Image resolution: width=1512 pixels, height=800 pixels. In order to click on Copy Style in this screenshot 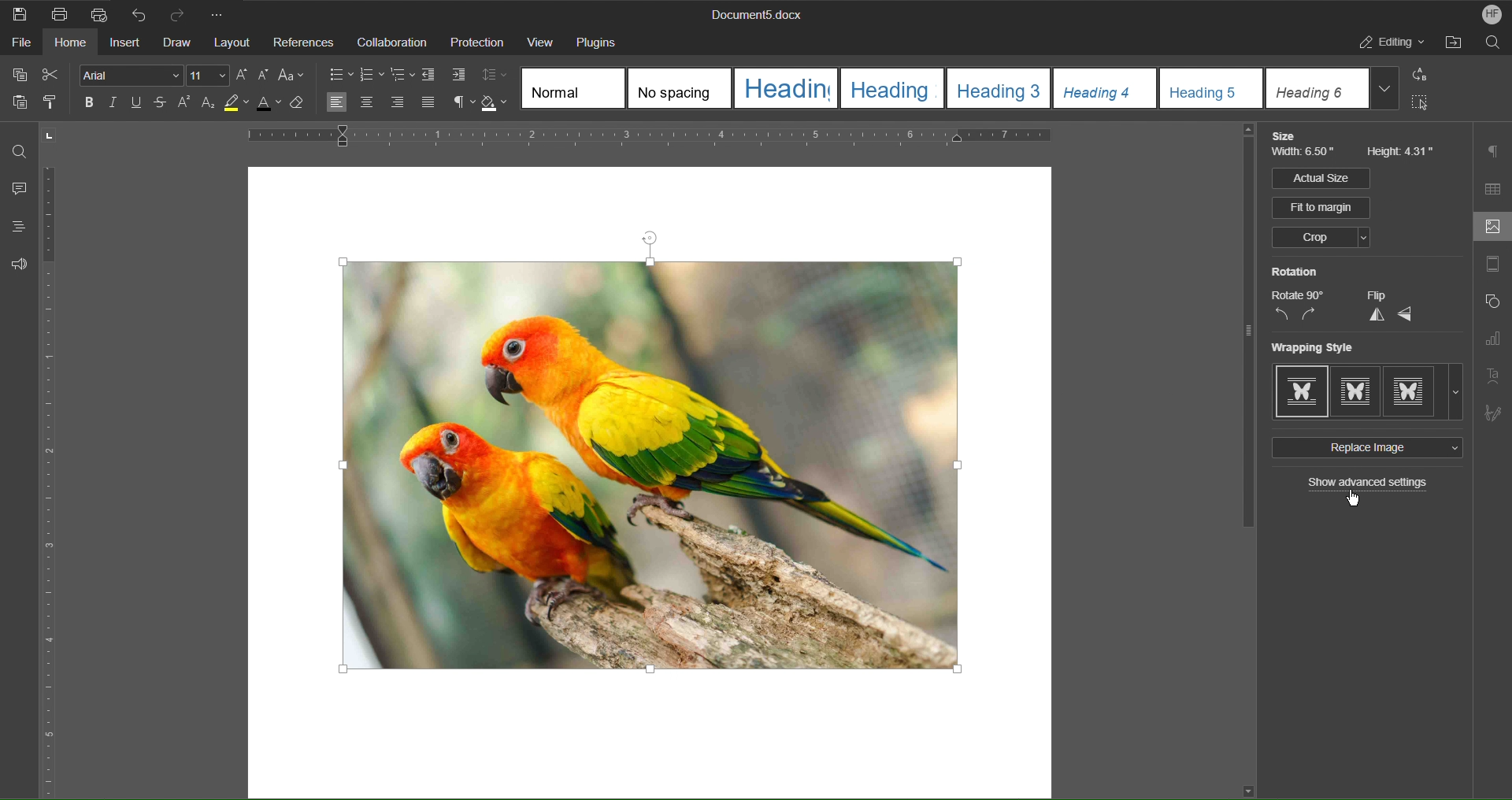, I will do `click(56, 103)`.